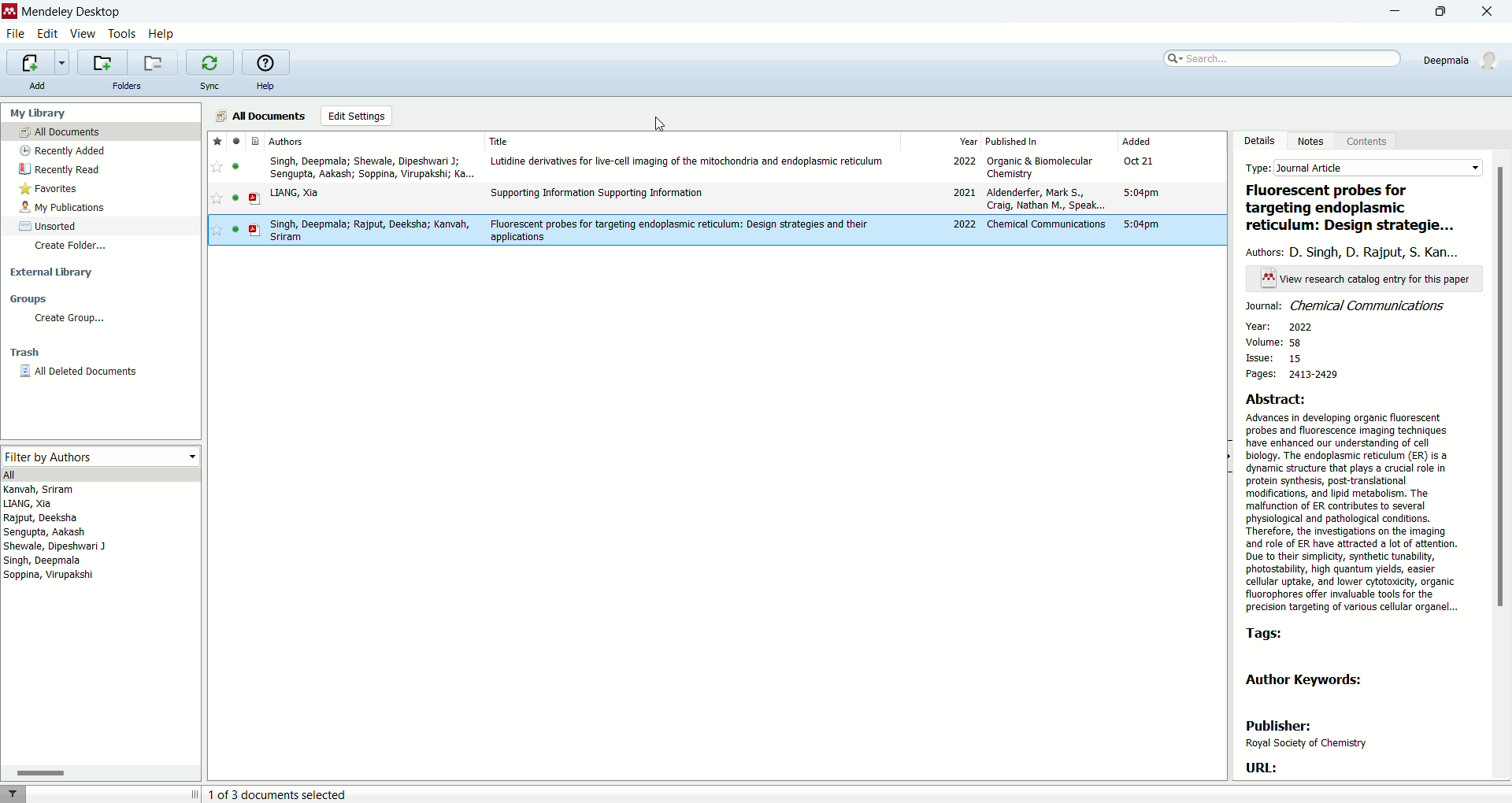  What do you see at coordinates (68, 320) in the screenshot?
I see `create group` at bounding box center [68, 320].